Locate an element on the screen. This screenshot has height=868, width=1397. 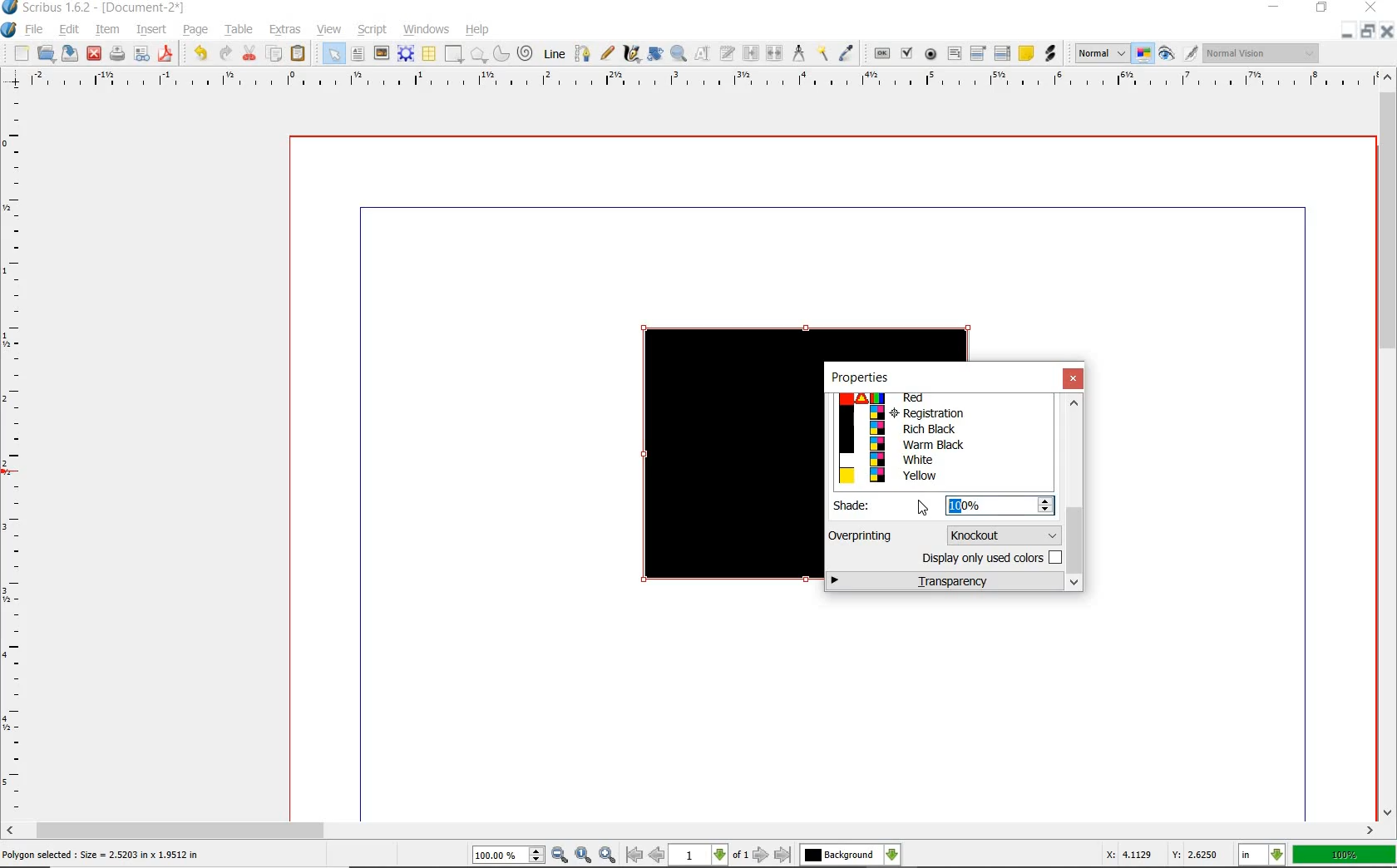
scrollbar is located at coordinates (1387, 445).